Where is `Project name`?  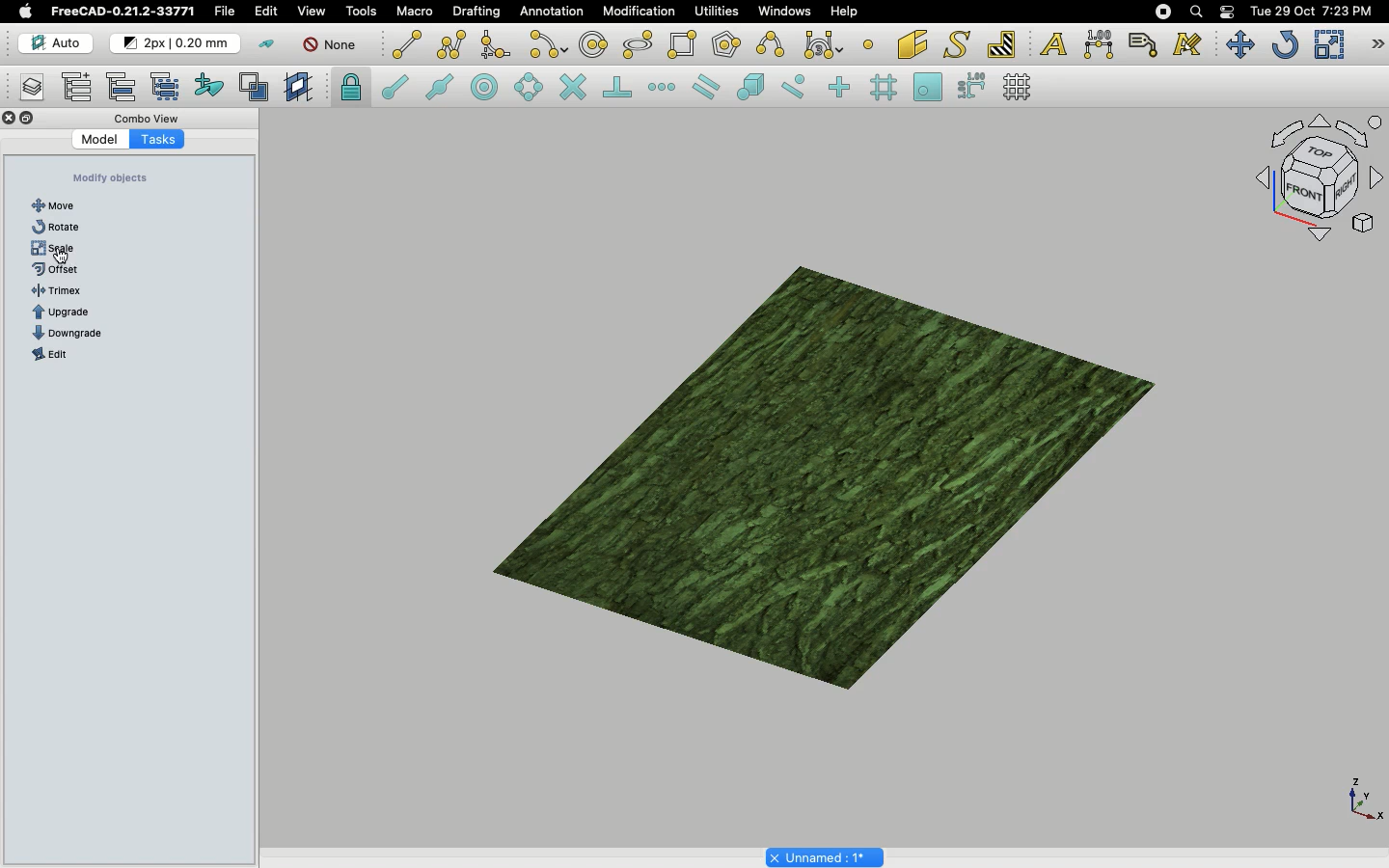 Project name is located at coordinates (825, 856).